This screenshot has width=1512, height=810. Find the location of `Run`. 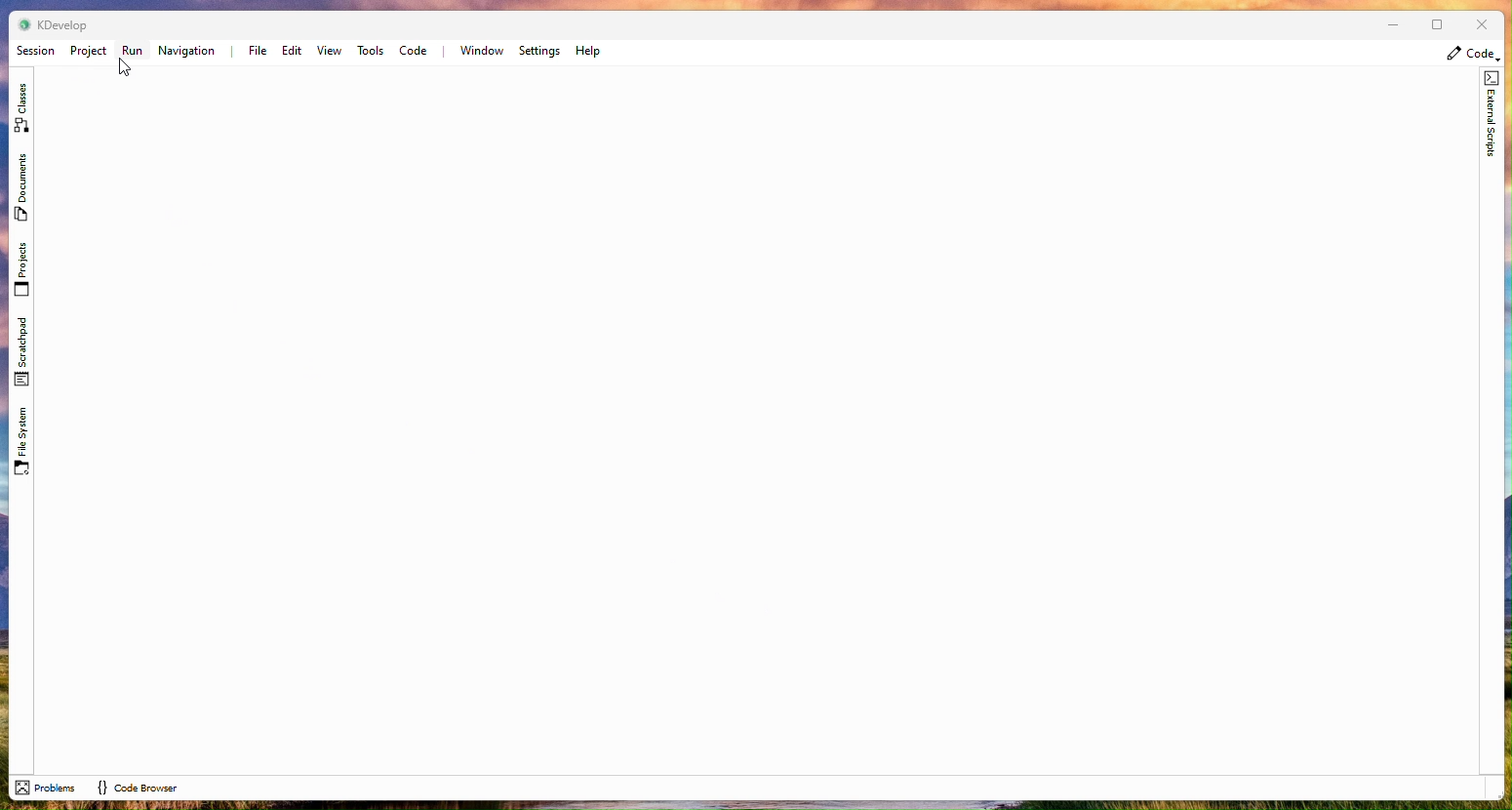

Run is located at coordinates (133, 51).